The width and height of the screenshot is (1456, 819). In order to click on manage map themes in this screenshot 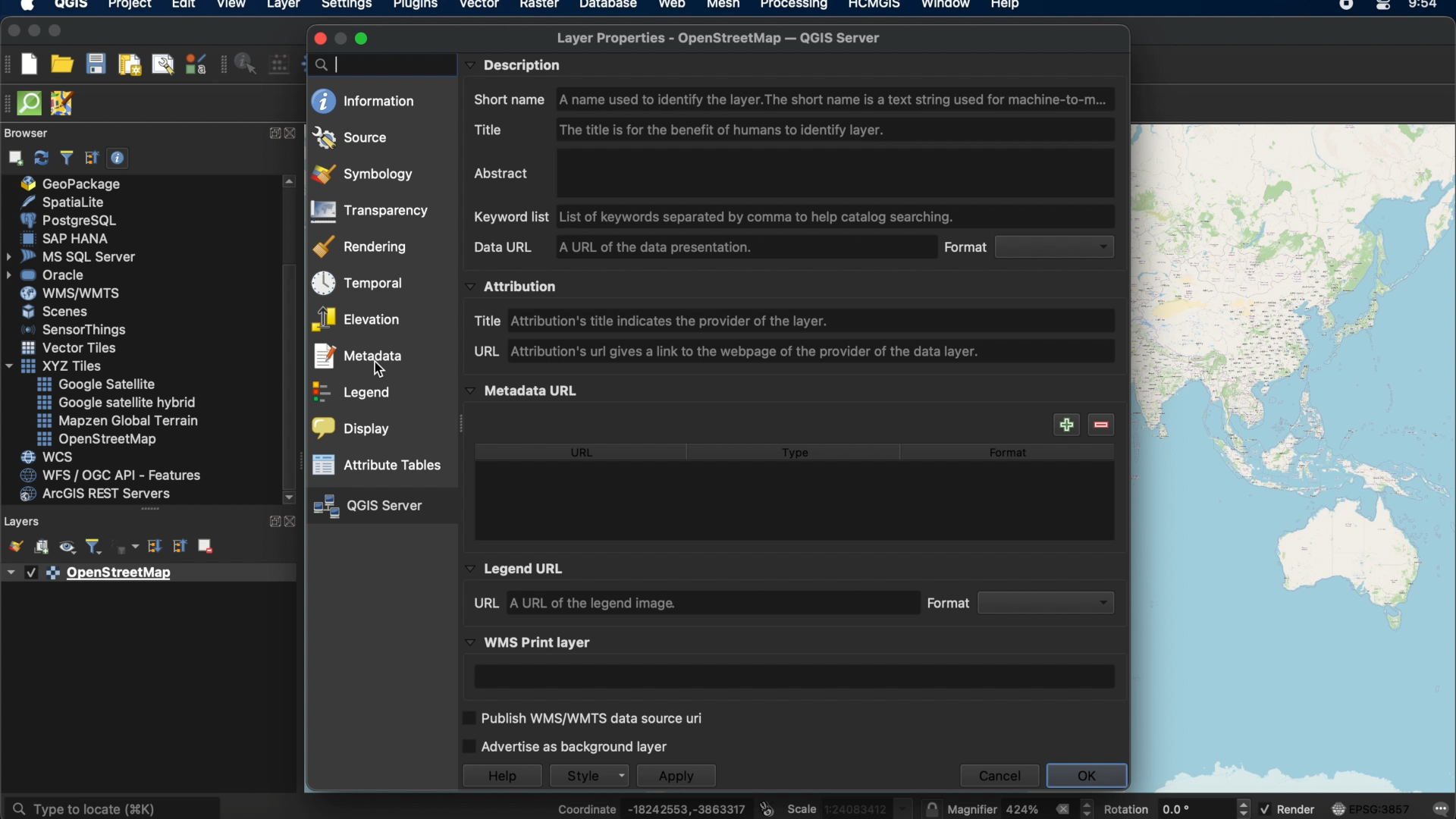, I will do `click(66, 548)`.